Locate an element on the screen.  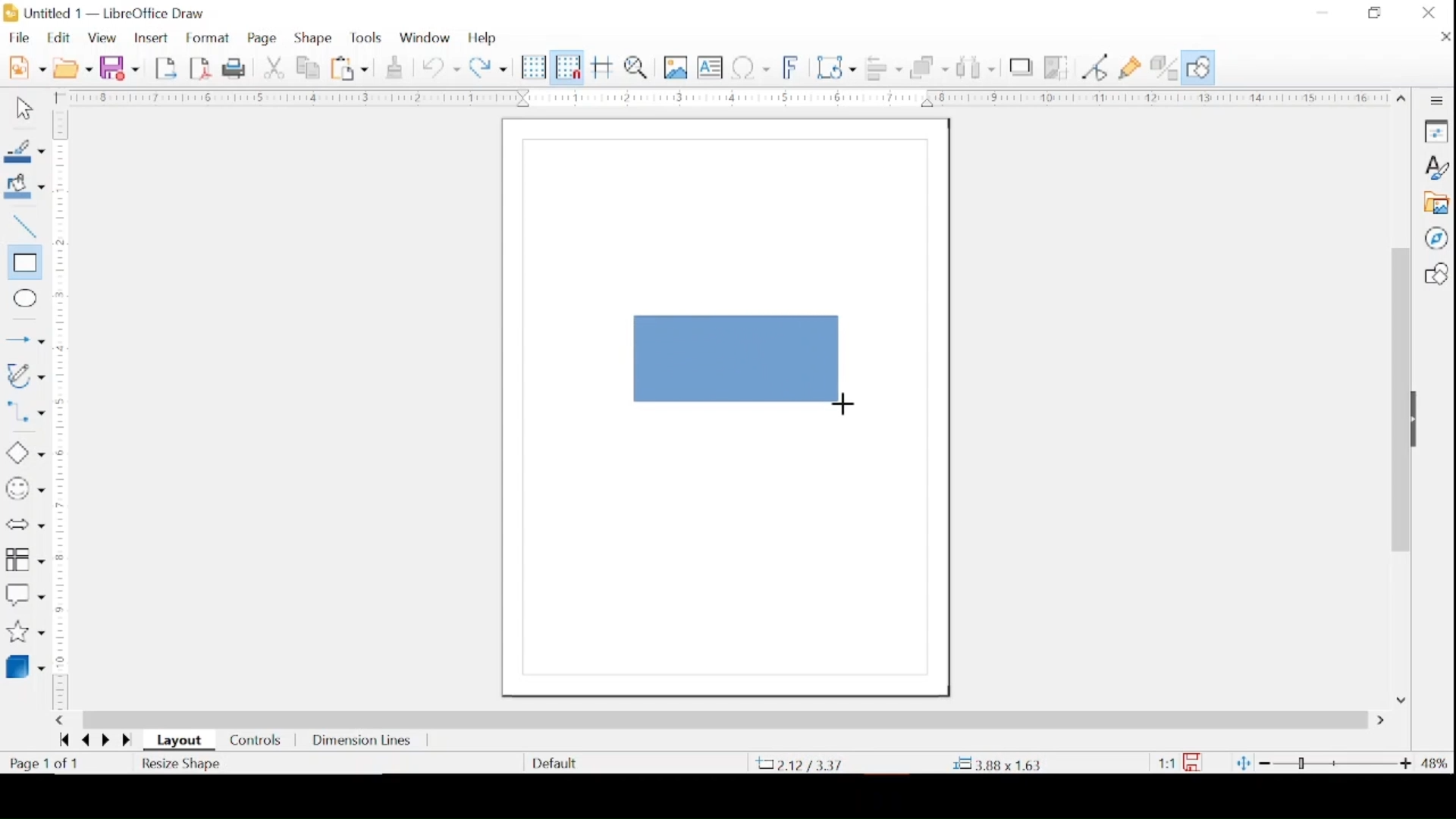
toggle extrusions is located at coordinates (1164, 69).